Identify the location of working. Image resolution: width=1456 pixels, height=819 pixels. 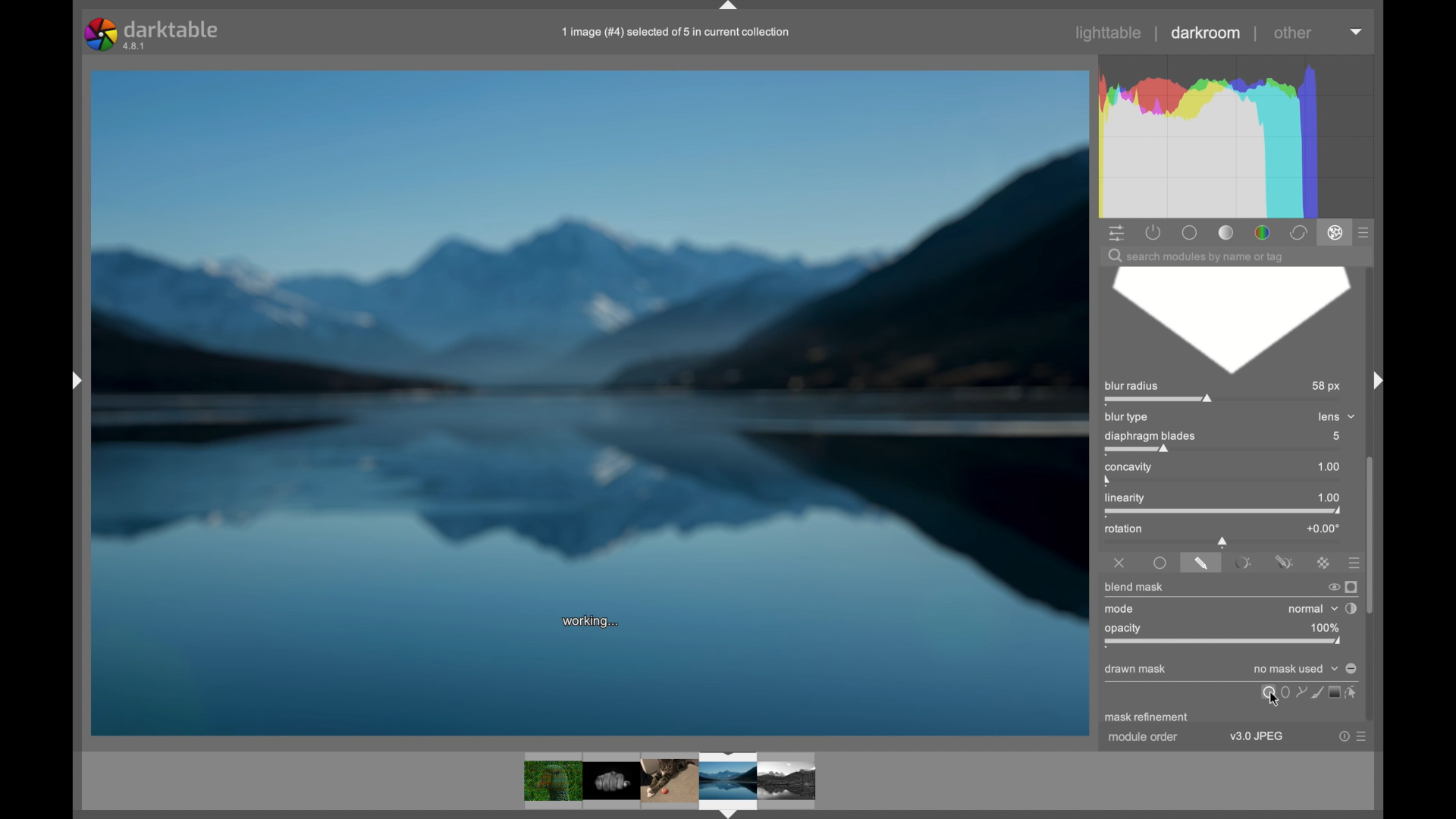
(593, 622).